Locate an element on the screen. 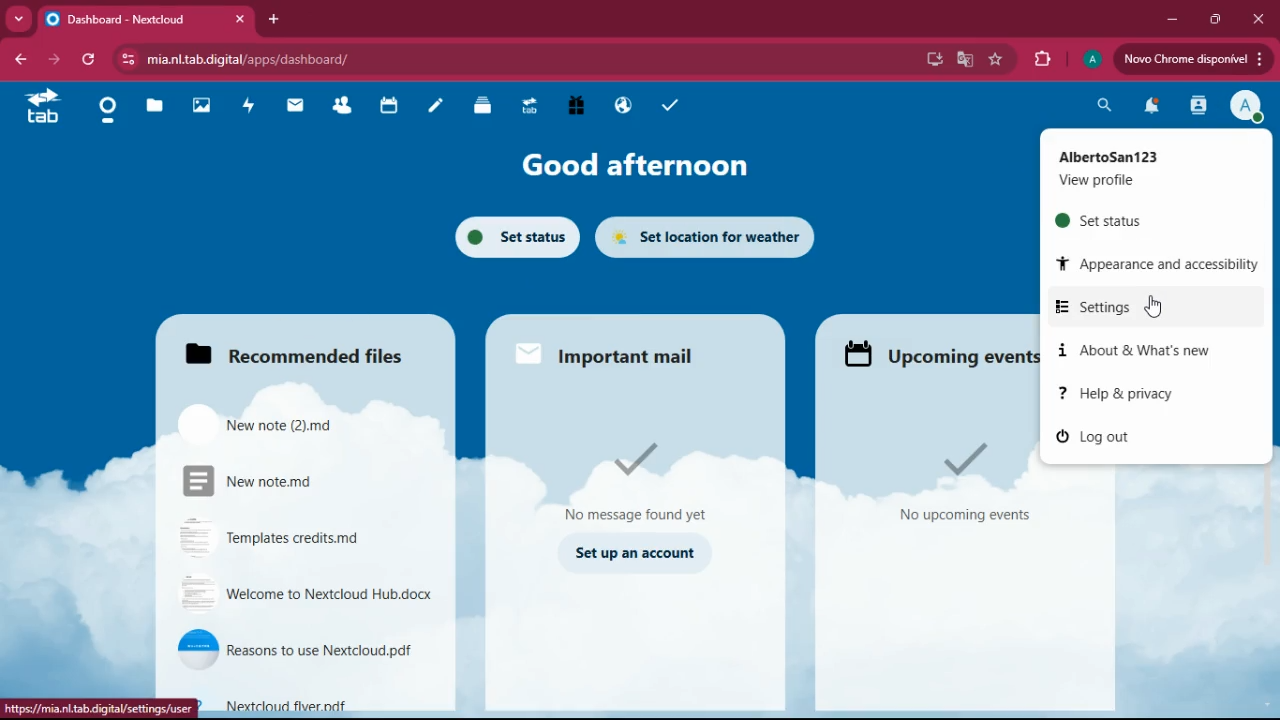 The width and height of the screenshot is (1280, 720). events is located at coordinates (962, 489).